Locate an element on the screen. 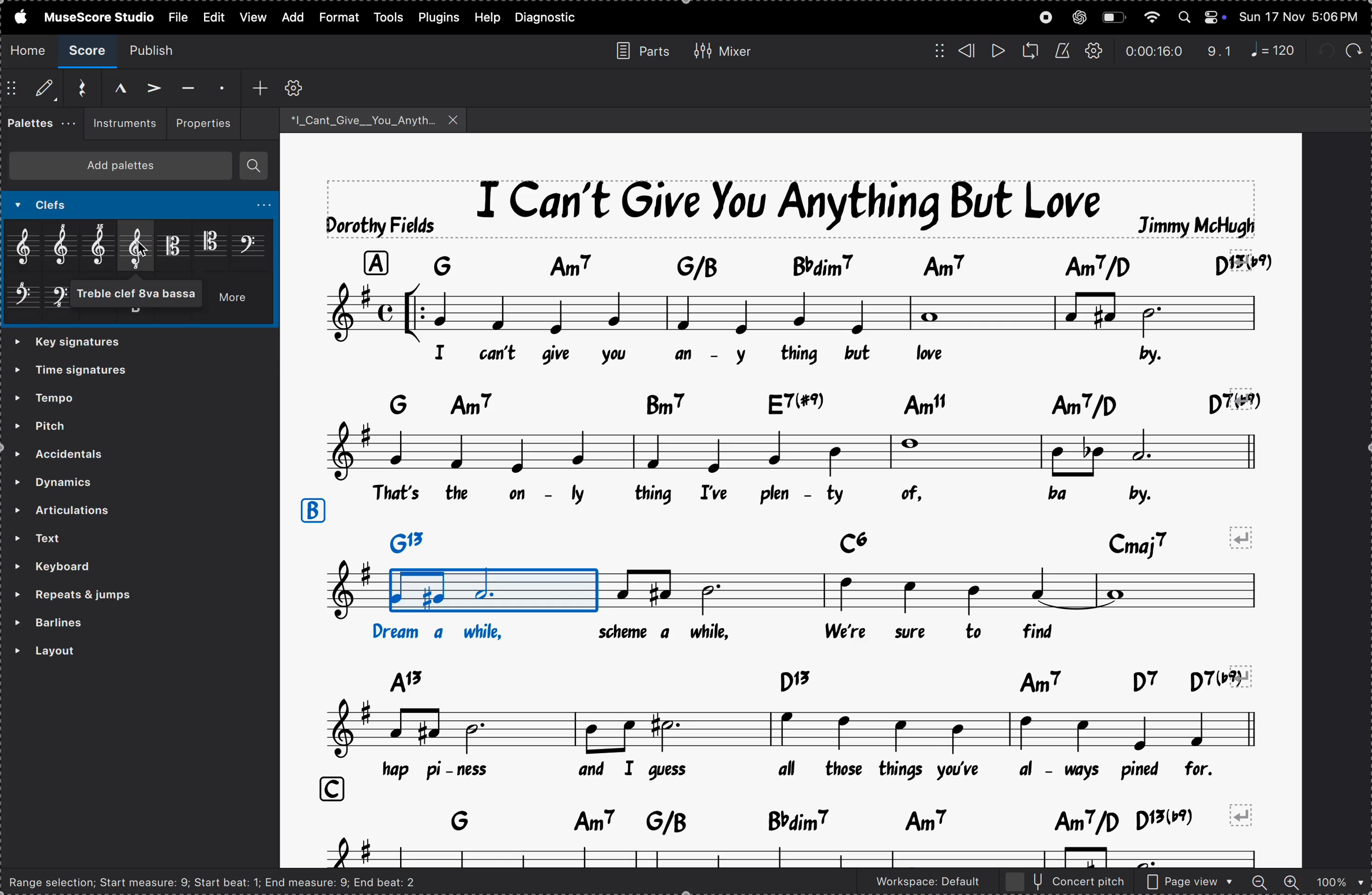 The image size is (1372, 895). time and date is located at coordinates (1301, 14).